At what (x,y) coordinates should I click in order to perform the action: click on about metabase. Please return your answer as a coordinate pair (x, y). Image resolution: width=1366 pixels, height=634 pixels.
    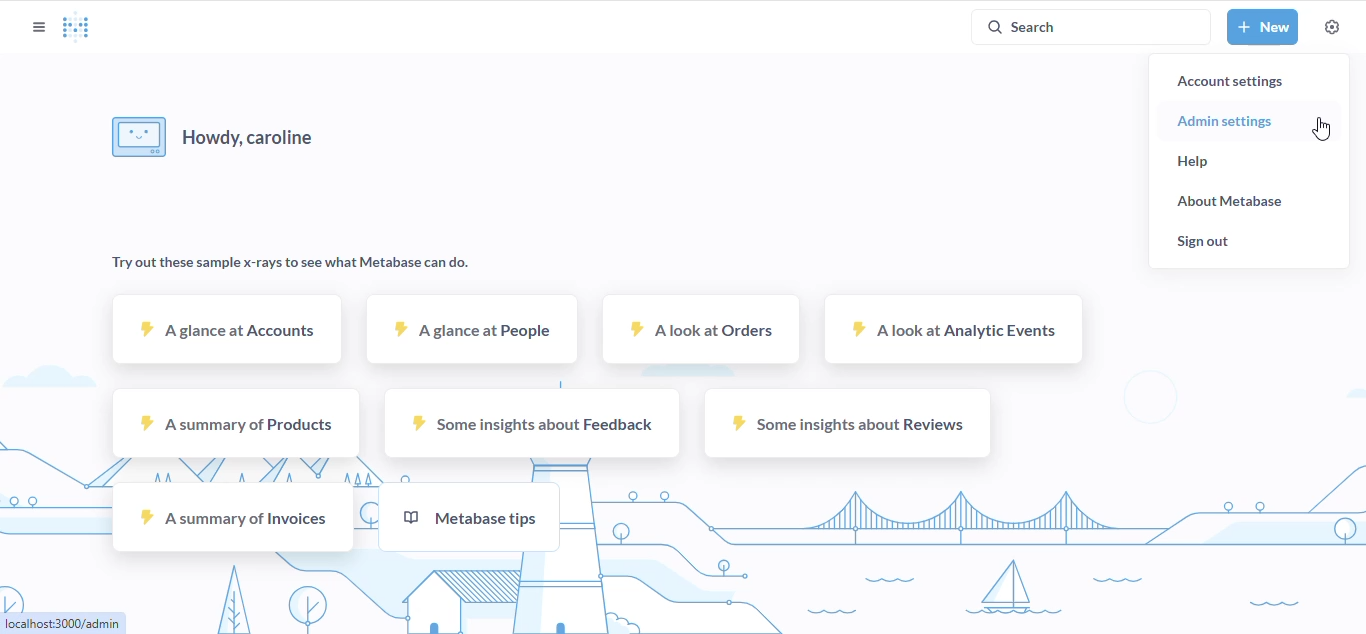
    Looking at the image, I should click on (1230, 203).